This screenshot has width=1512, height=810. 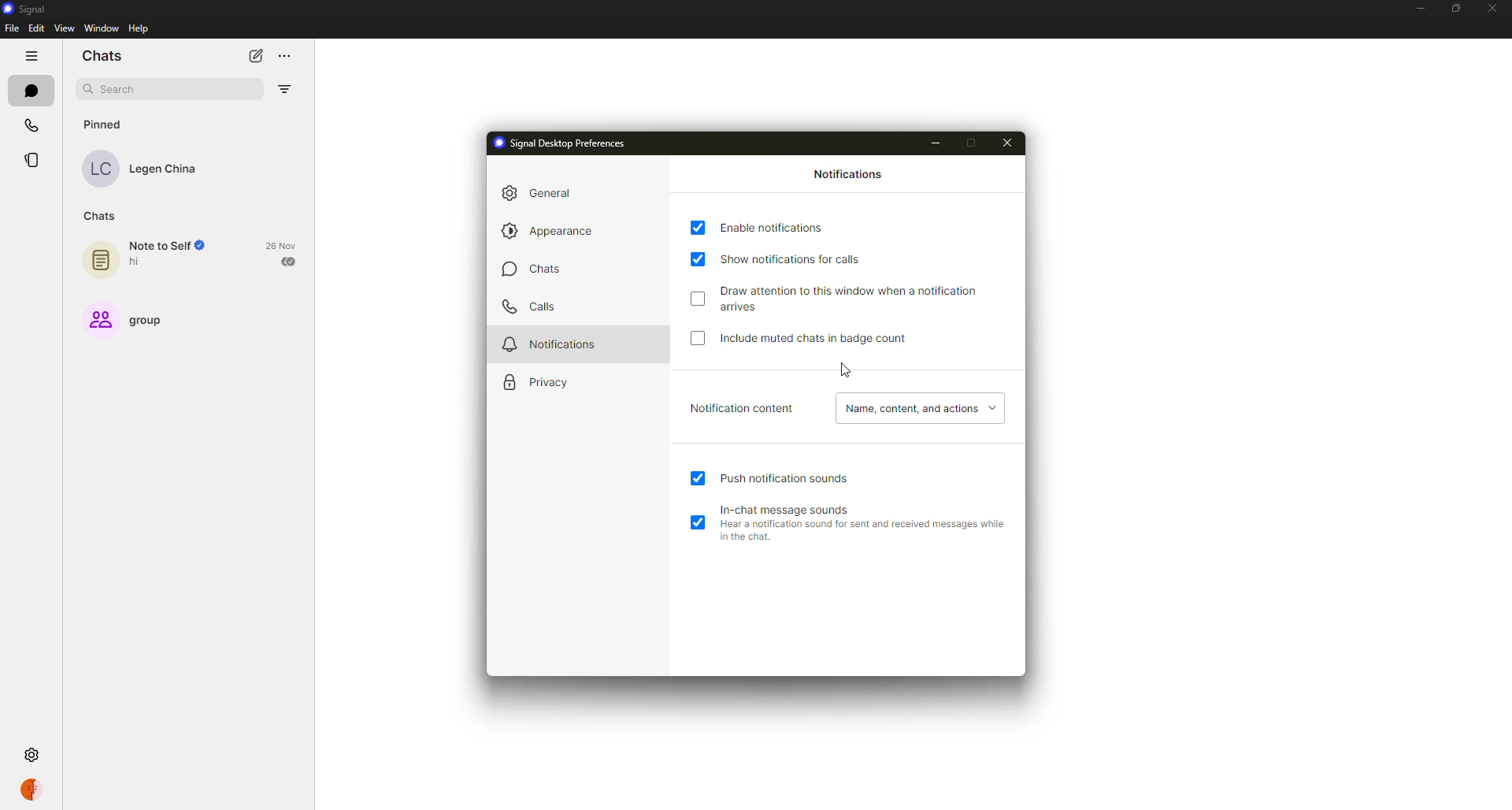 I want to click on enabled, so click(x=701, y=524).